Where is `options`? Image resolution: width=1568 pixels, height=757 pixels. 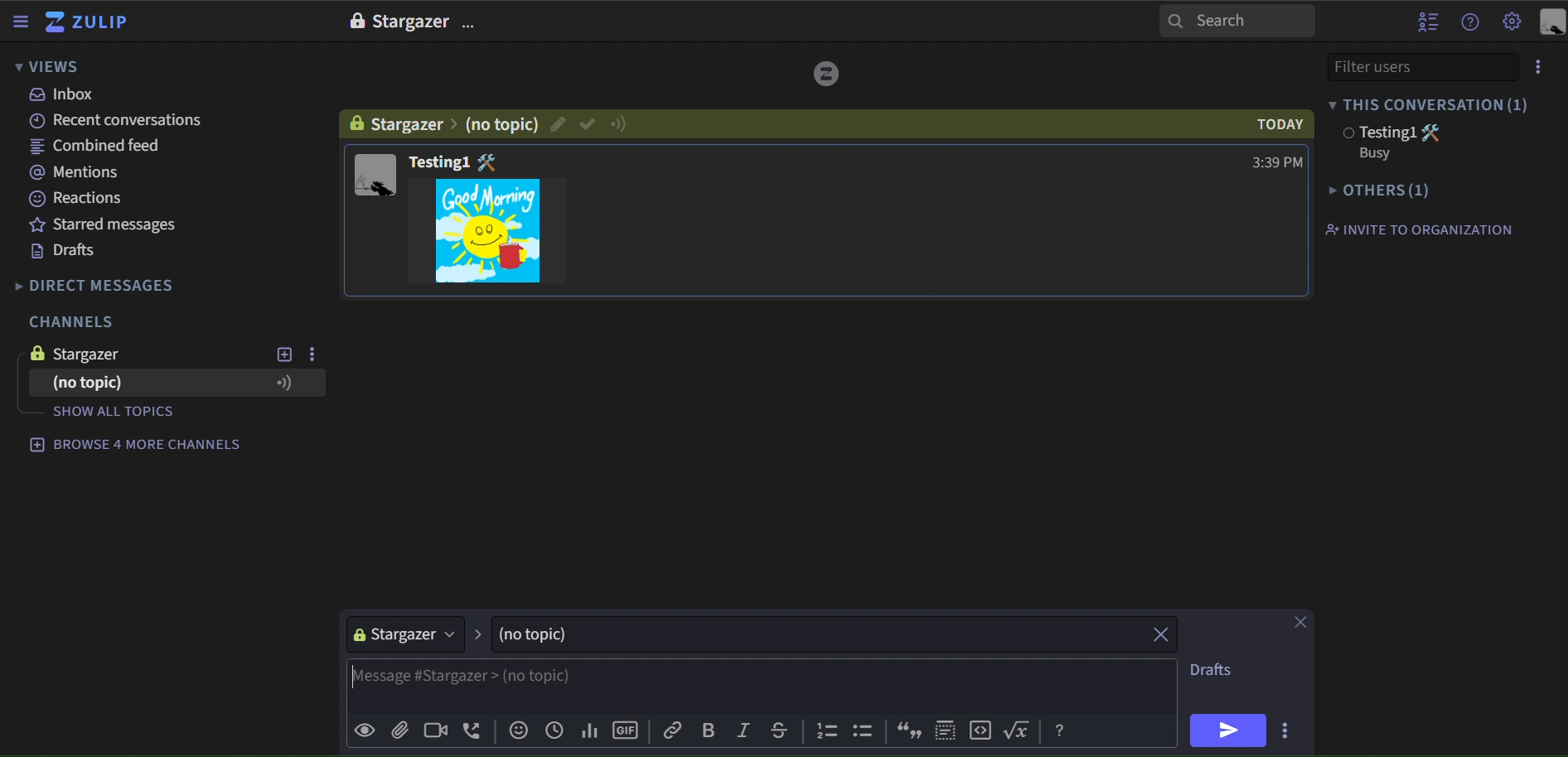
options is located at coordinates (472, 25).